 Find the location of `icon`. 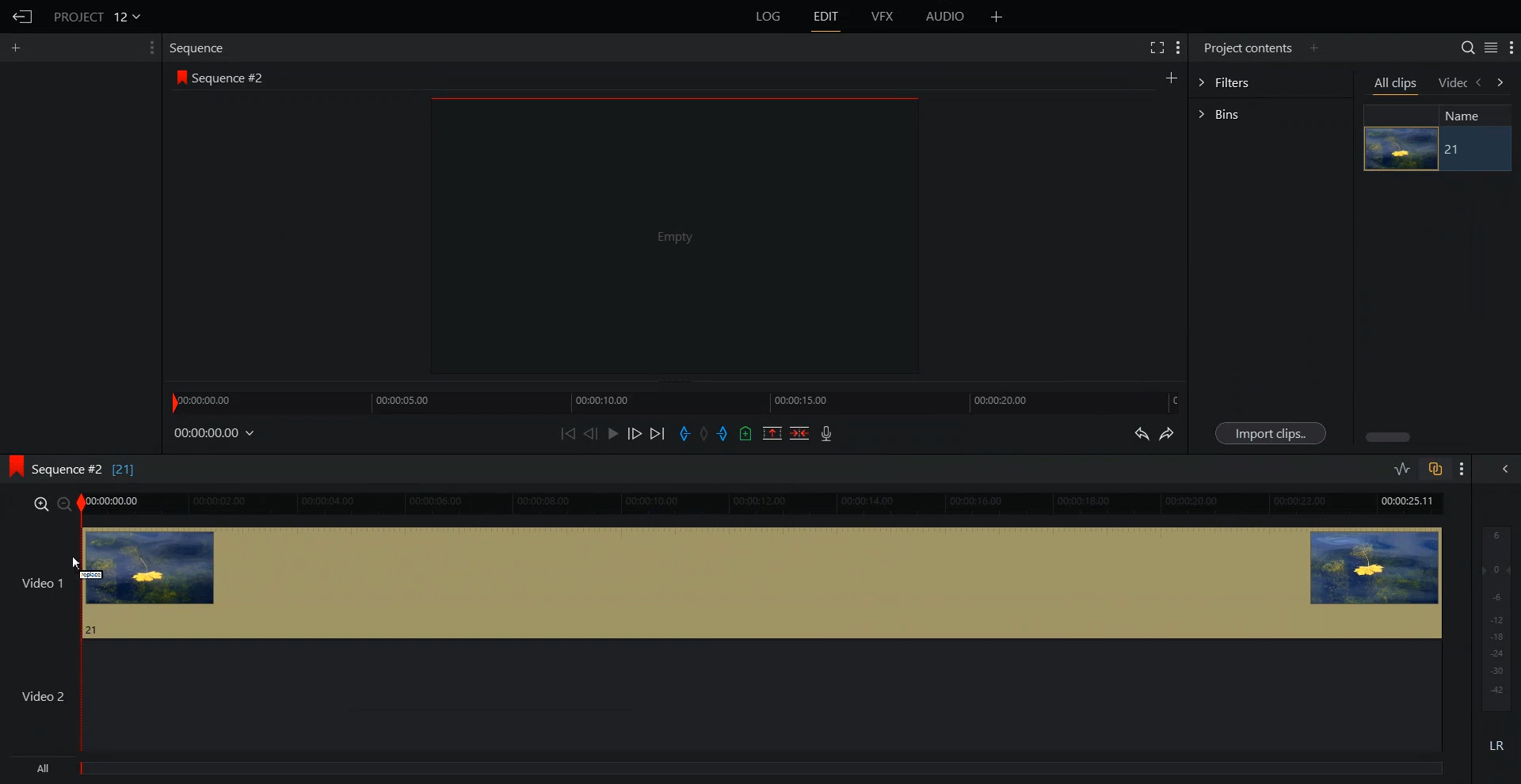

icon is located at coordinates (14, 466).